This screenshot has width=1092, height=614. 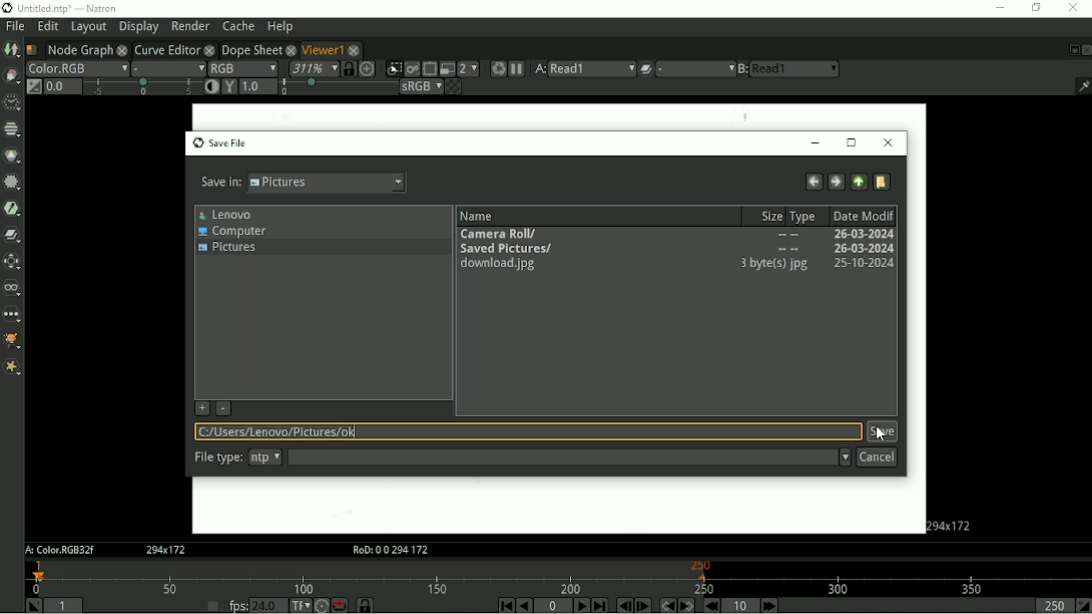 I want to click on Pictures, so click(x=228, y=248).